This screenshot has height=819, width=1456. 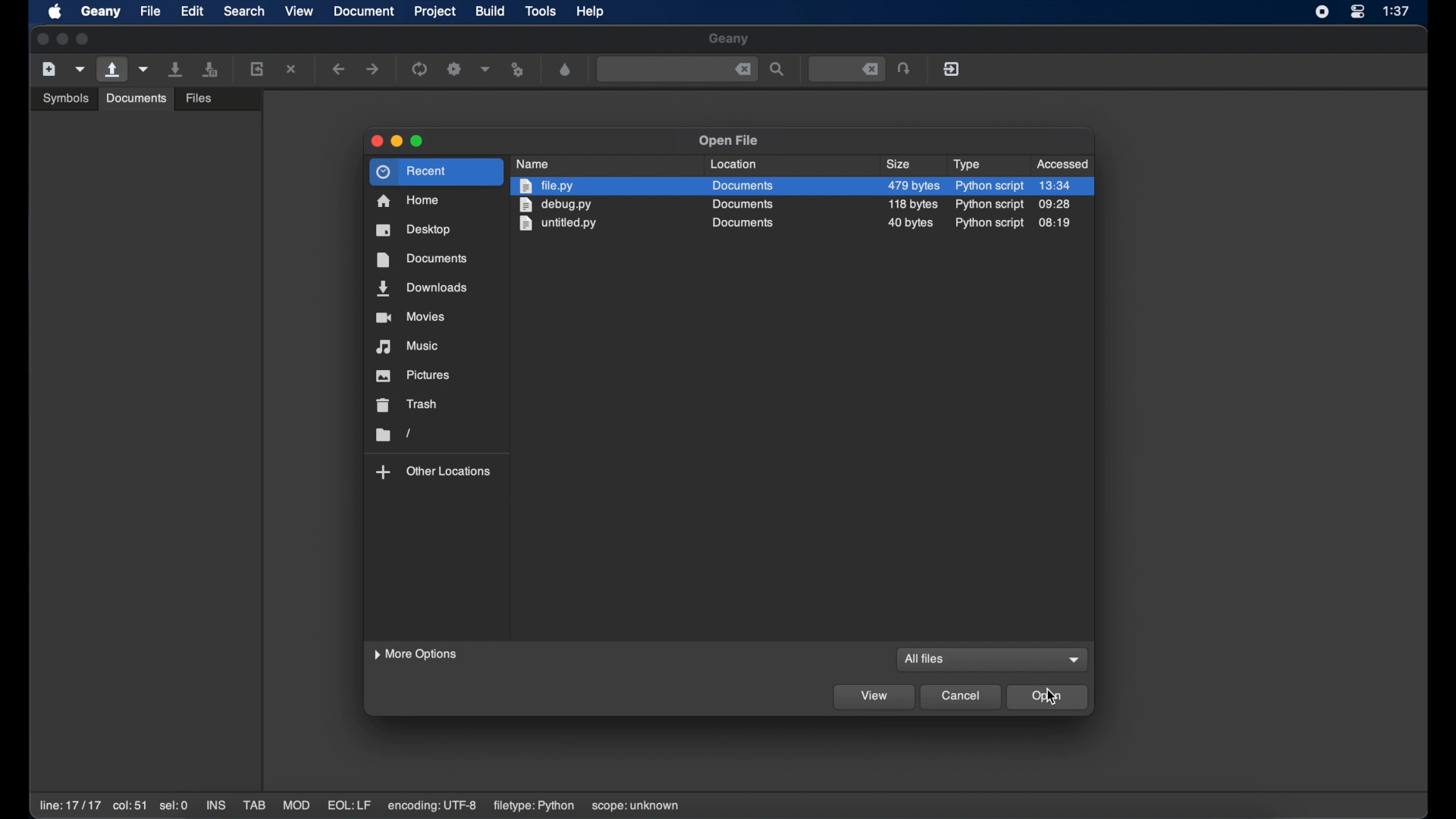 I want to click on debug.py, so click(x=554, y=206).